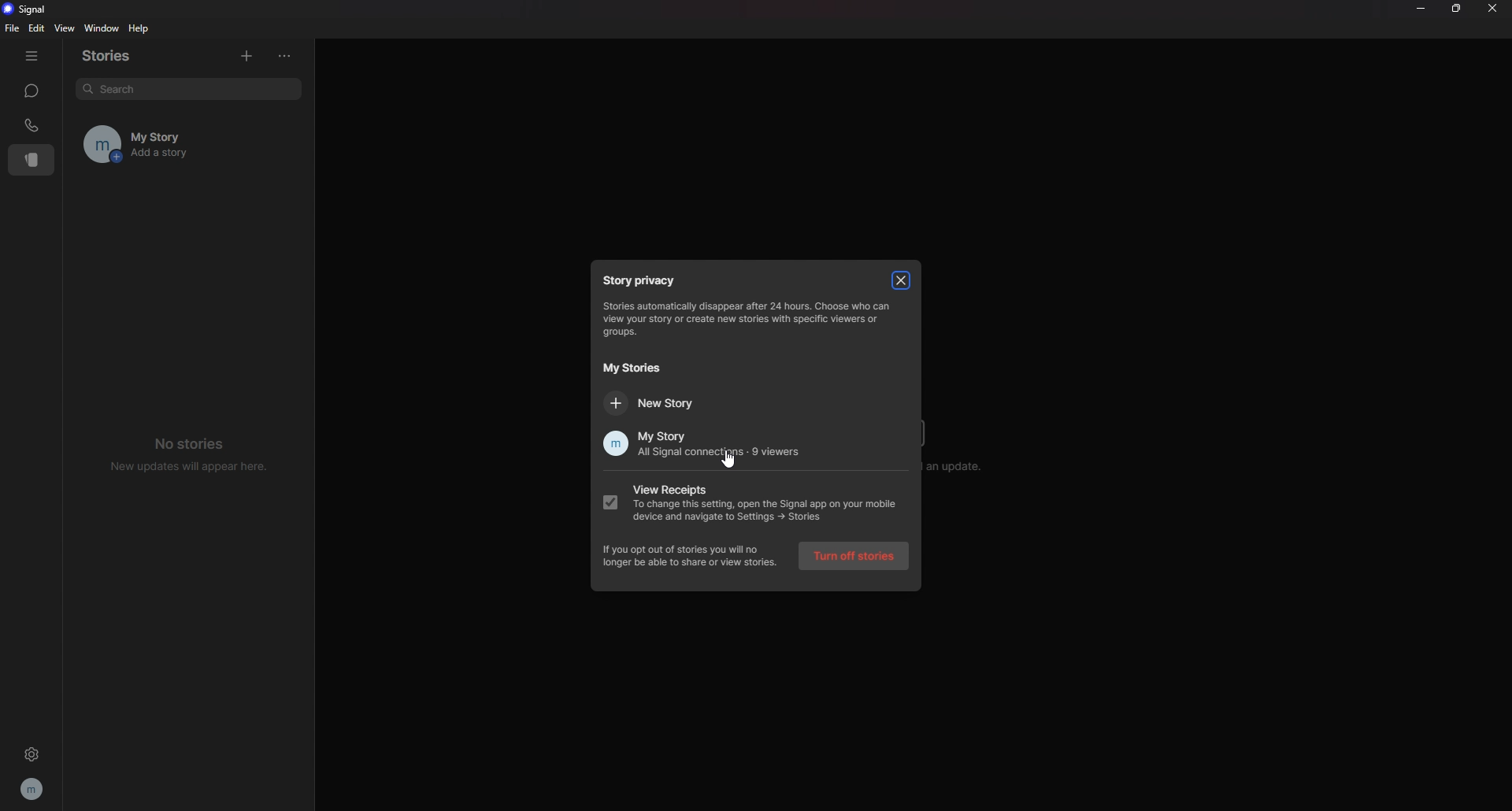  Describe the element at coordinates (1458, 9) in the screenshot. I see `resize` at that location.